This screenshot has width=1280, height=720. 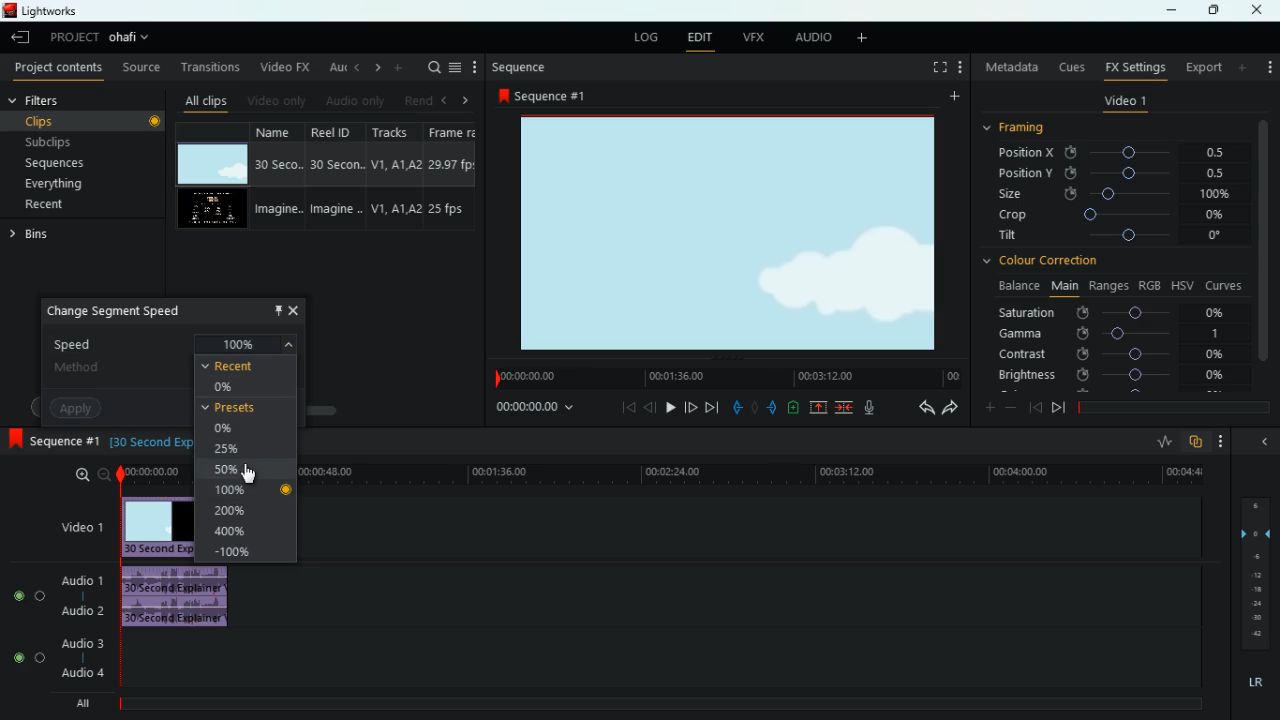 I want to click on forward, so click(x=951, y=409).